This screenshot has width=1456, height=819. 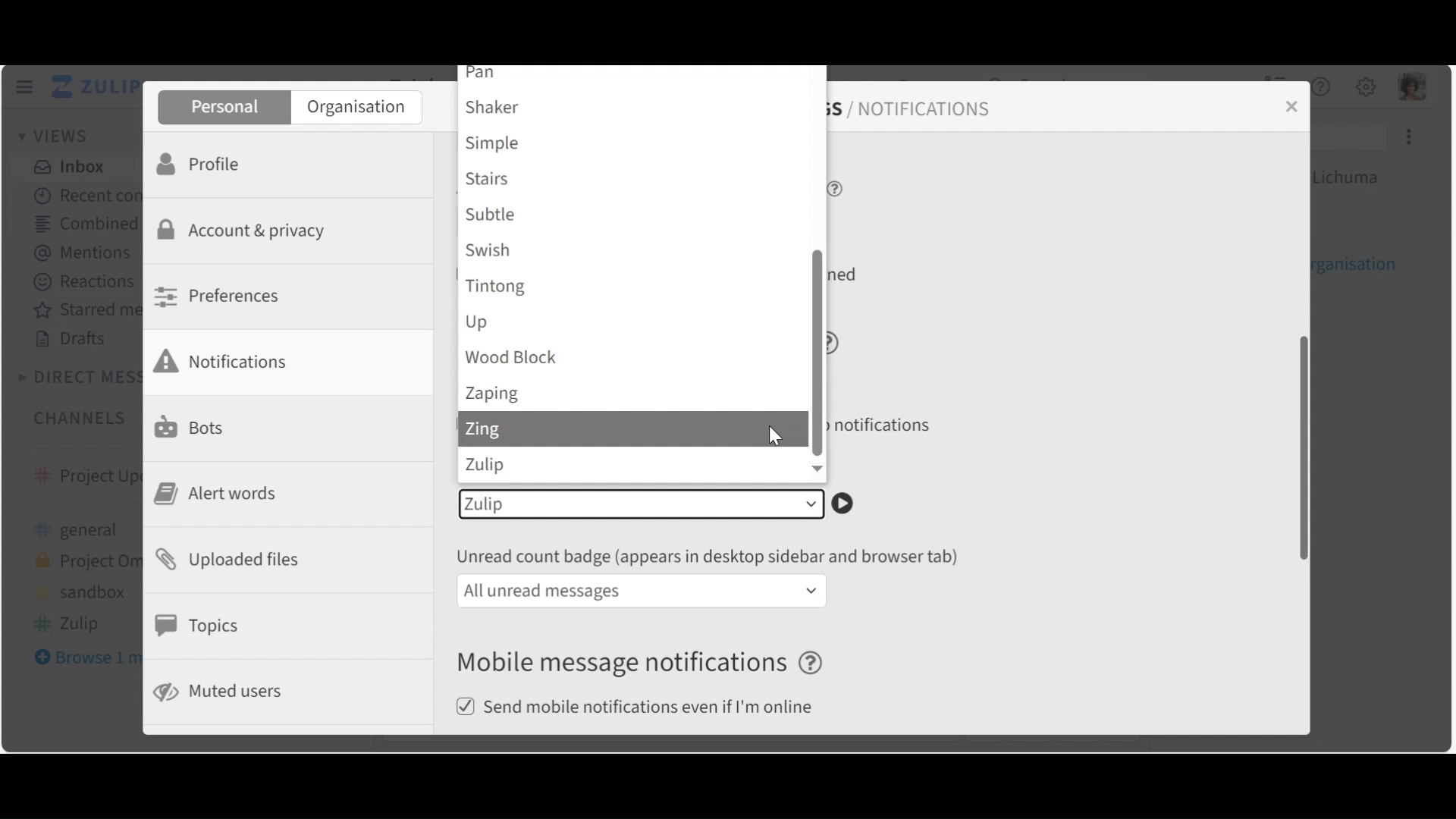 What do you see at coordinates (202, 626) in the screenshot?
I see `Topics` at bounding box center [202, 626].